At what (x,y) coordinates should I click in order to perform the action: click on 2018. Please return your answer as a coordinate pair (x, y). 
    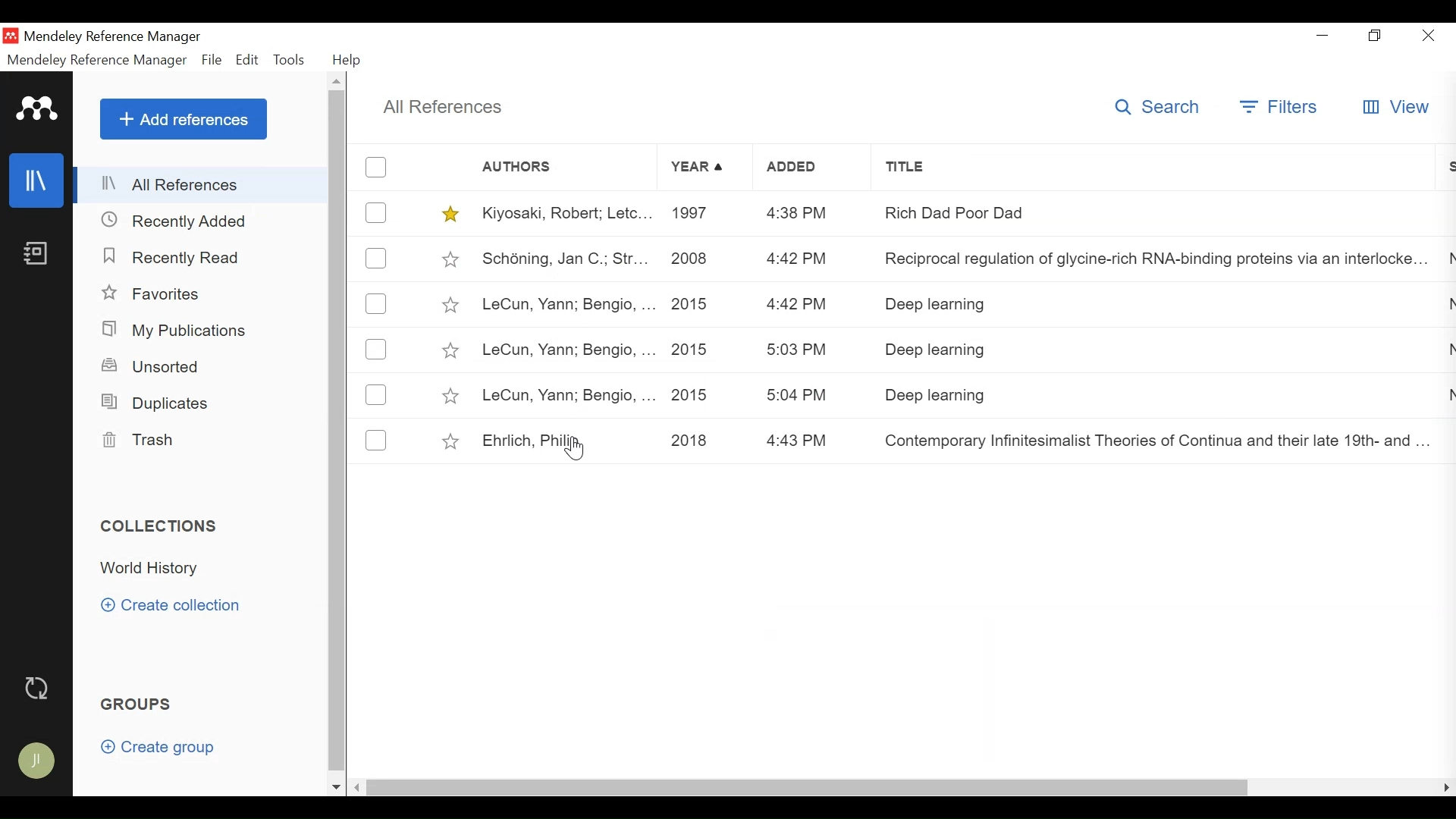
    Looking at the image, I should click on (693, 438).